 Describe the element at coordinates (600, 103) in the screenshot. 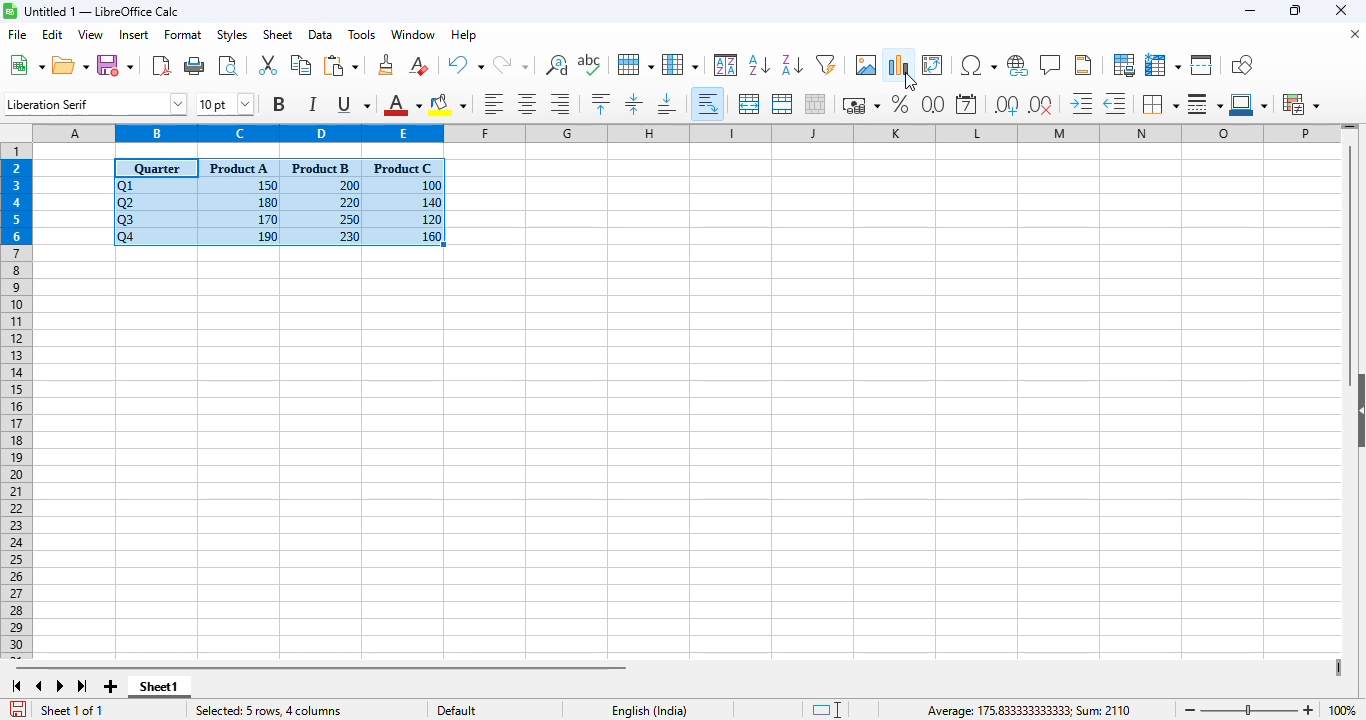

I see `align top` at that location.